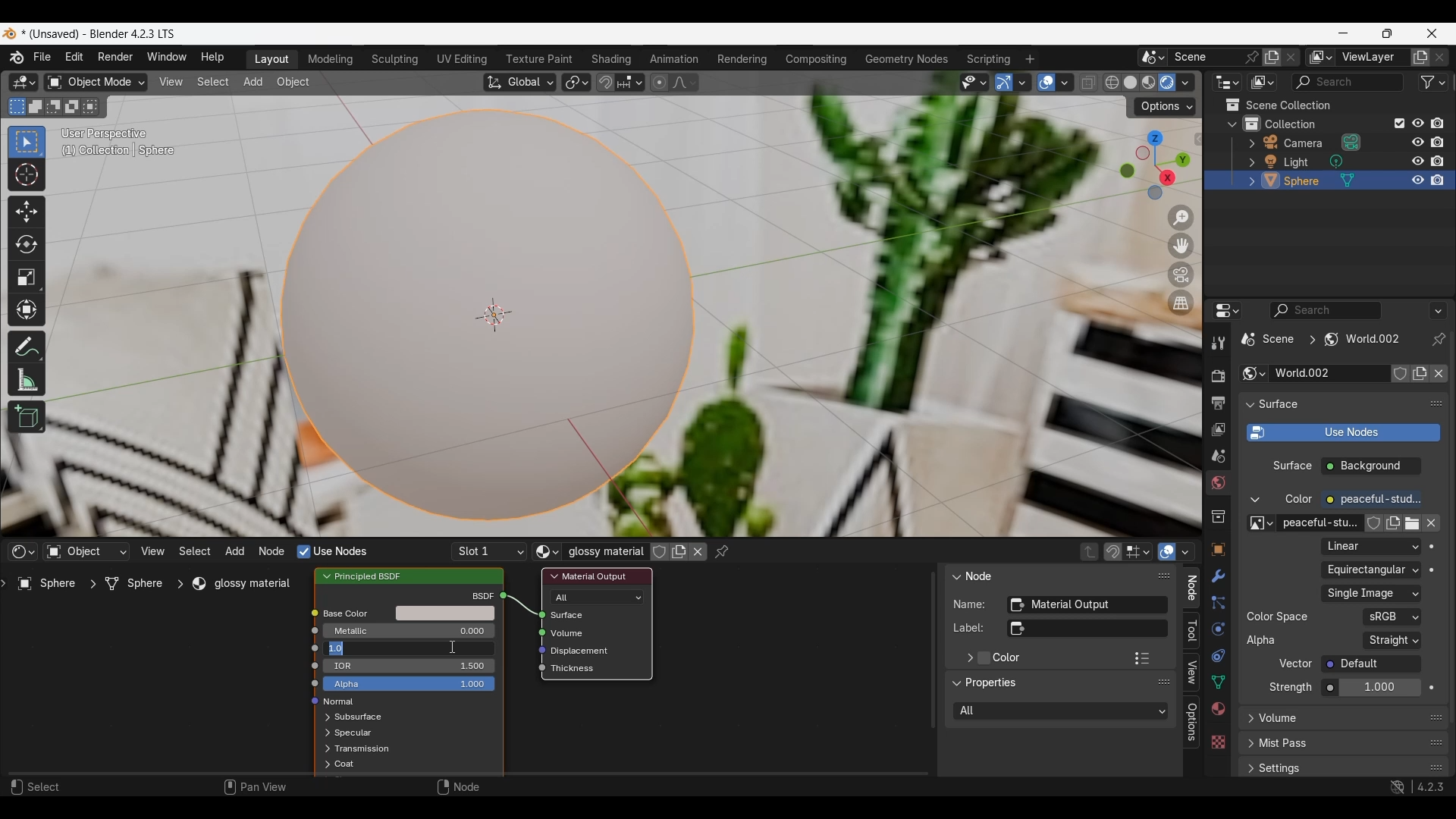 This screenshot has height=819, width=1456. What do you see at coordinates (494, 315) in the screenshot?
I see `Centre of the object` at bounding box center [494, 315].